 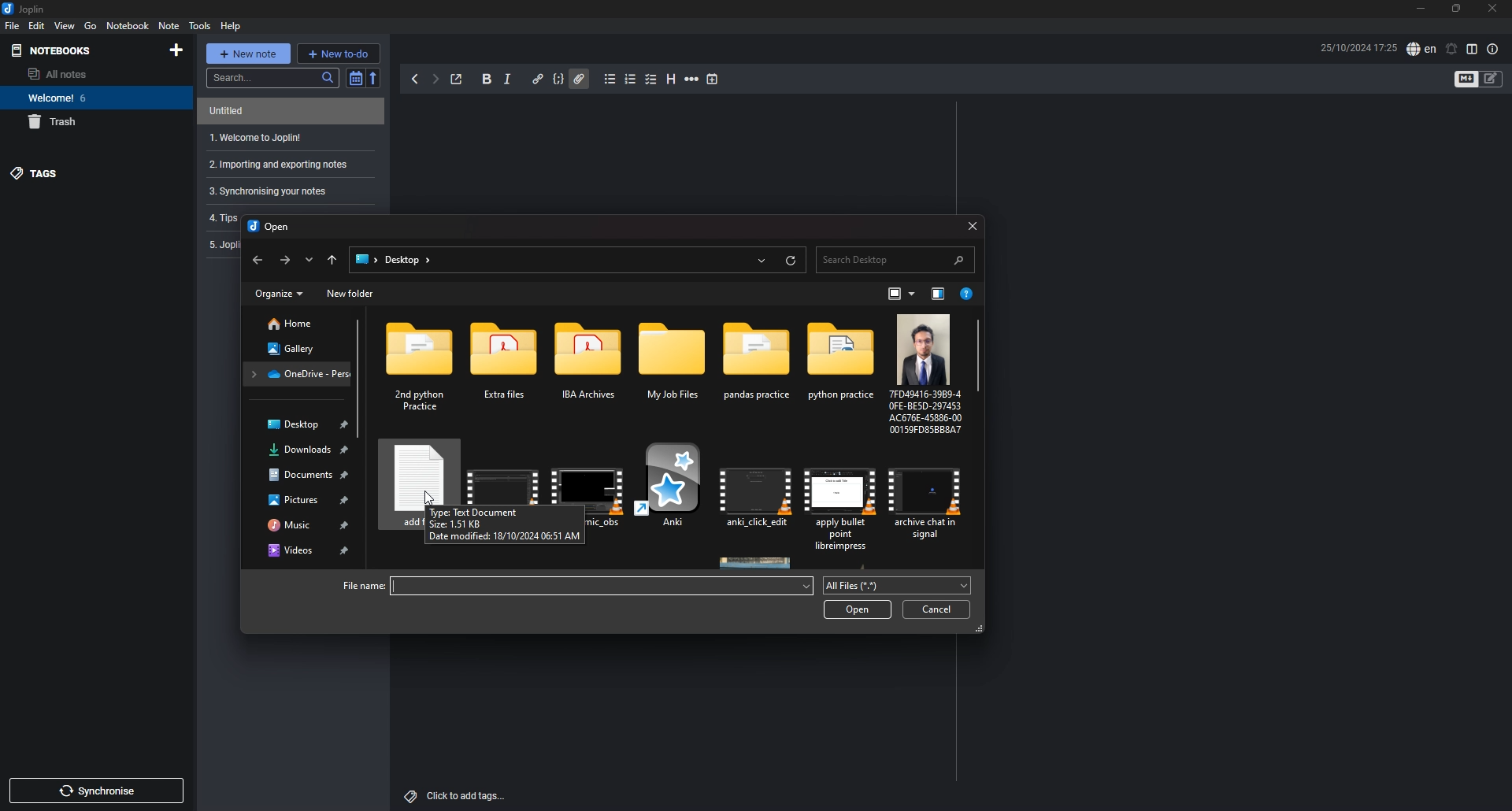 What do you see at coordinates (611, 79) in the screenshot?
I see `bullet list` at bounding box center [611, 79].